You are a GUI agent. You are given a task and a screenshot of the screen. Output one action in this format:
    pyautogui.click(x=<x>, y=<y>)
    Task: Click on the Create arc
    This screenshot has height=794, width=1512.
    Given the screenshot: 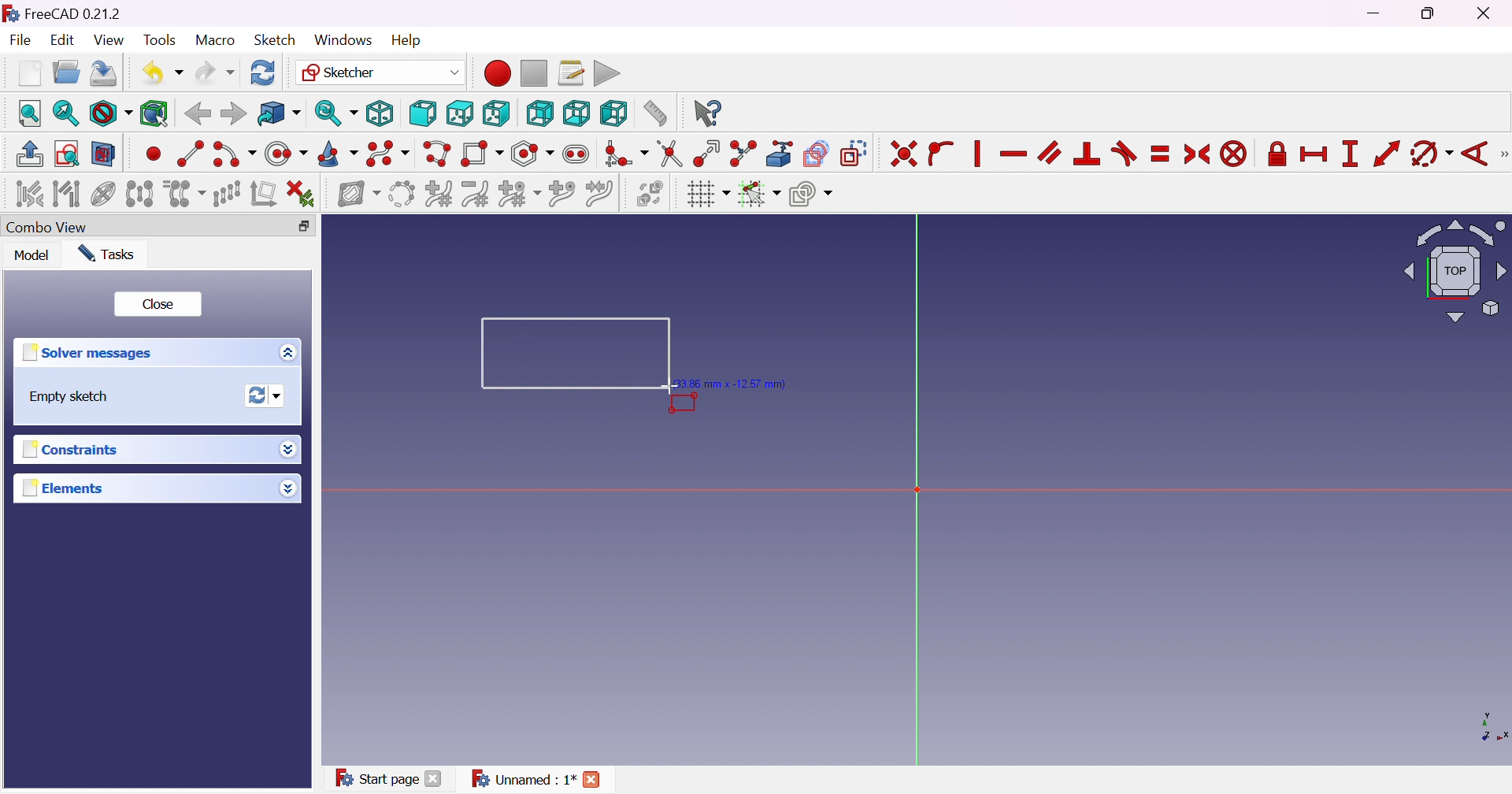 What is the action you would take?
    pyautogui.click(x=233, y=157)
    